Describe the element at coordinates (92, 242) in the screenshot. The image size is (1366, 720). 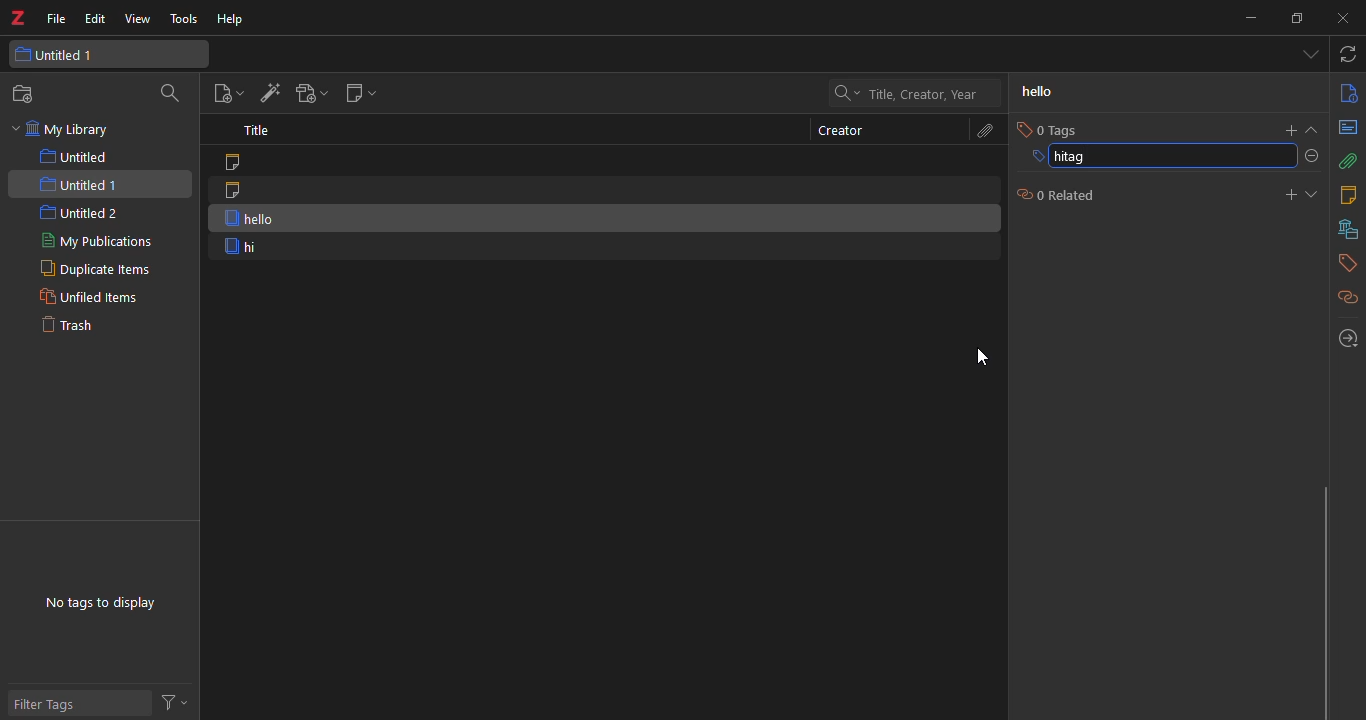
I see `my publications` at that location.